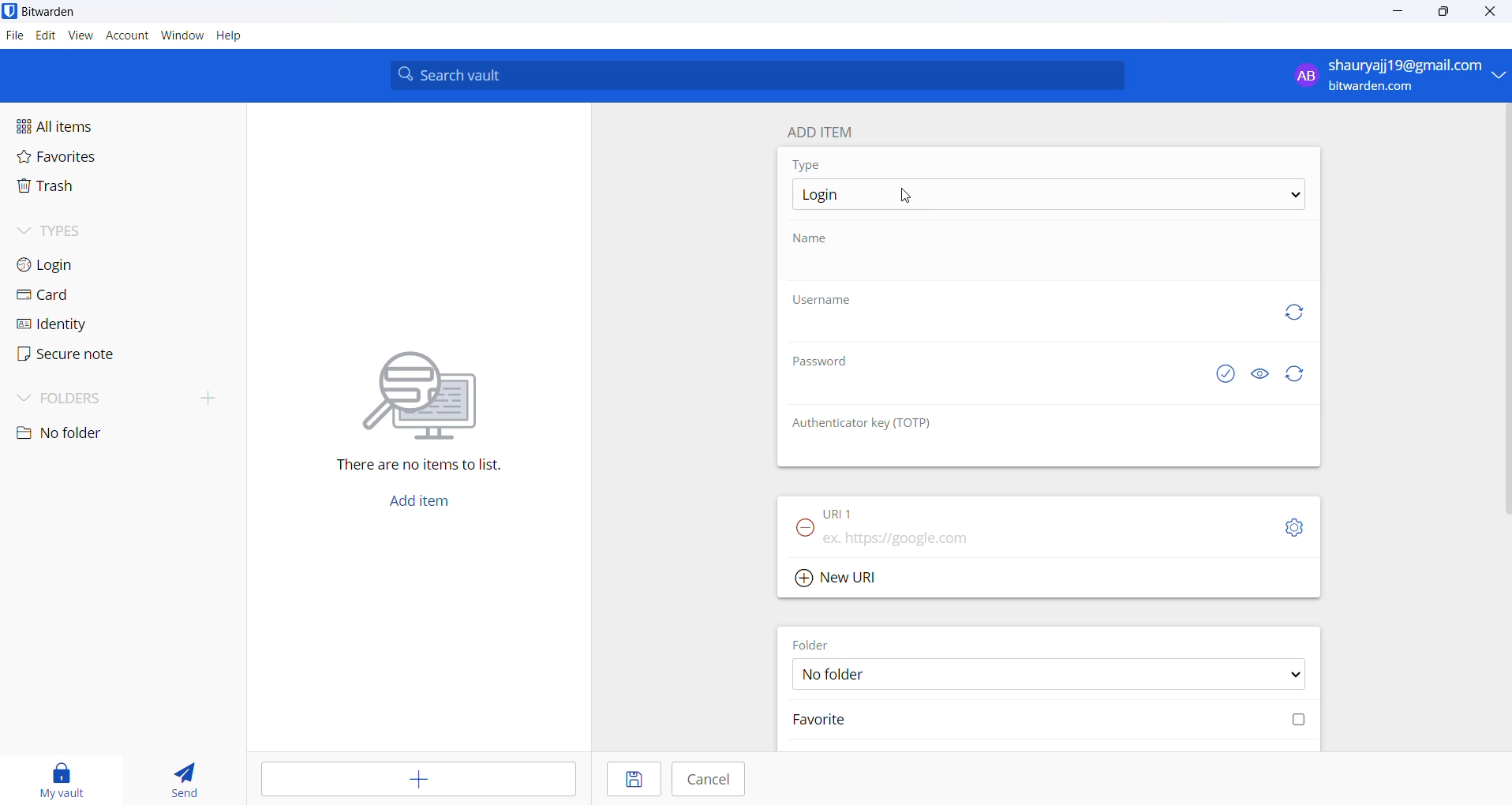  Describe the element at coordinates (75, 230) in the screenshot. I see `types` at that location.